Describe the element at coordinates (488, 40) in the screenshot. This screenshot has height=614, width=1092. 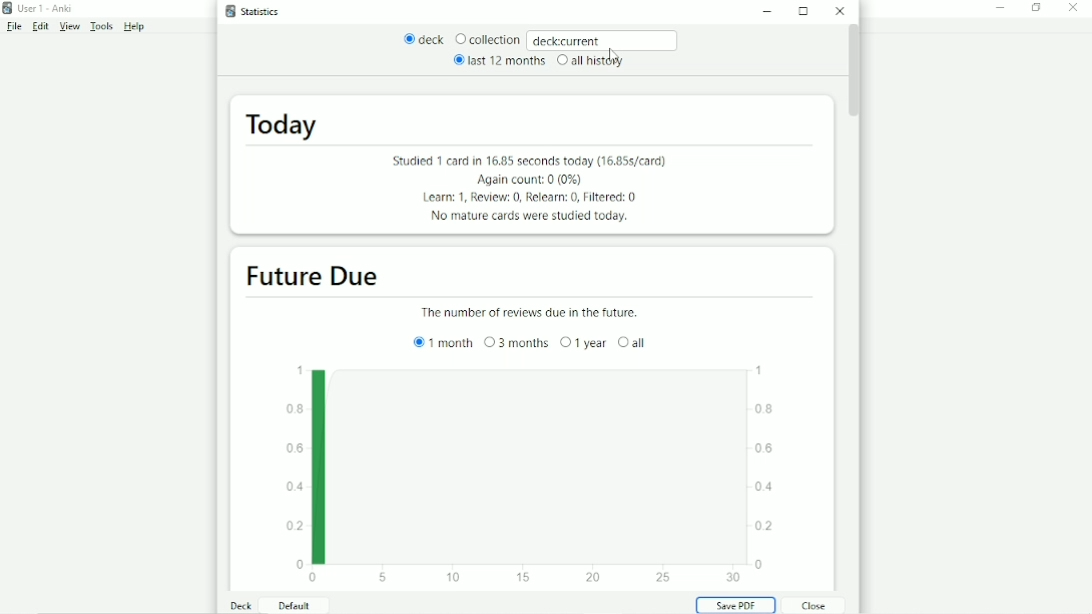
I see `Collection` at that location.